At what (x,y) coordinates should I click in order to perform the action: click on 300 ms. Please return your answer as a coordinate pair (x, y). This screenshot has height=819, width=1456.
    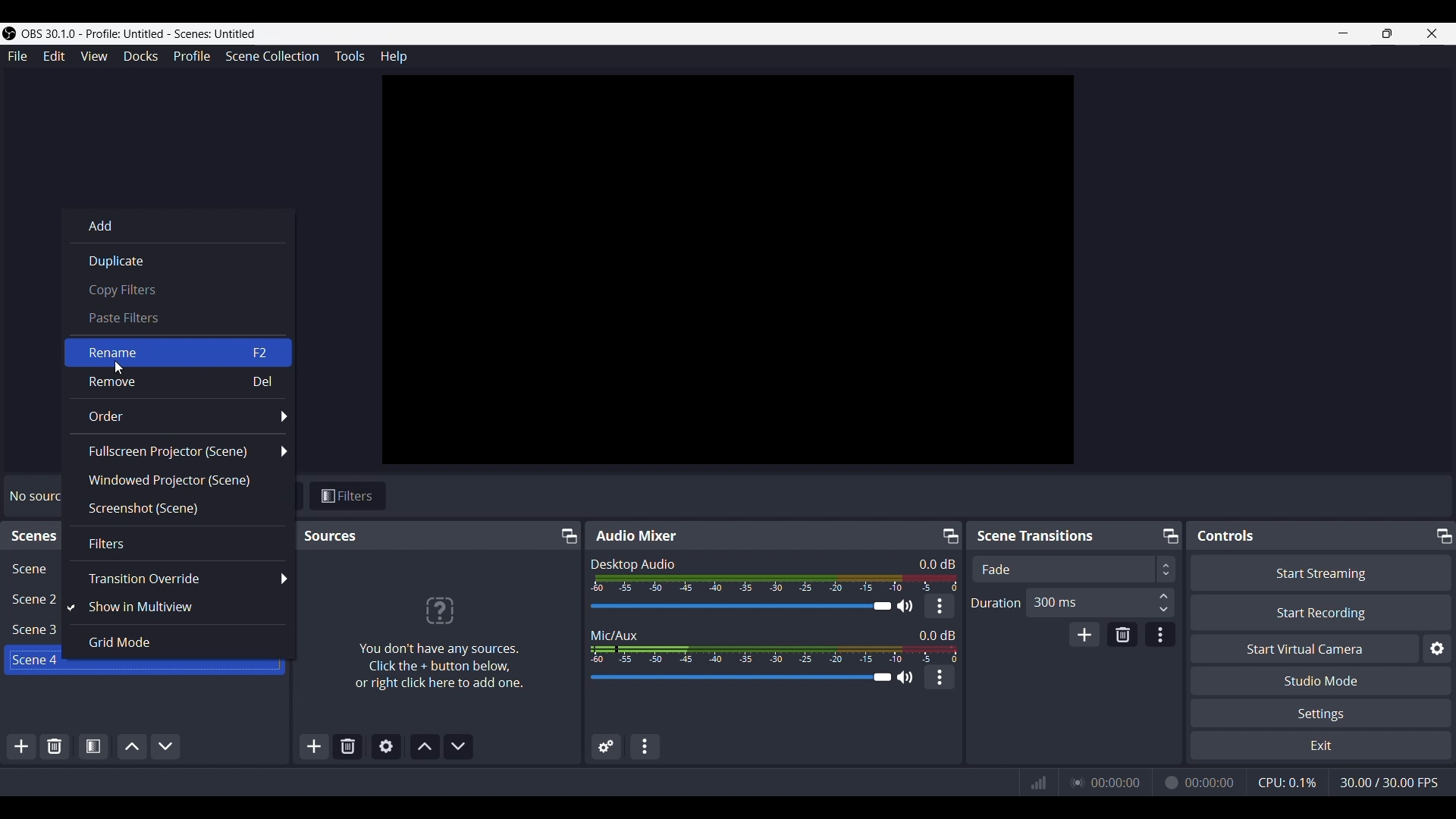
    Looking at the image, I should click on (1055, 601).